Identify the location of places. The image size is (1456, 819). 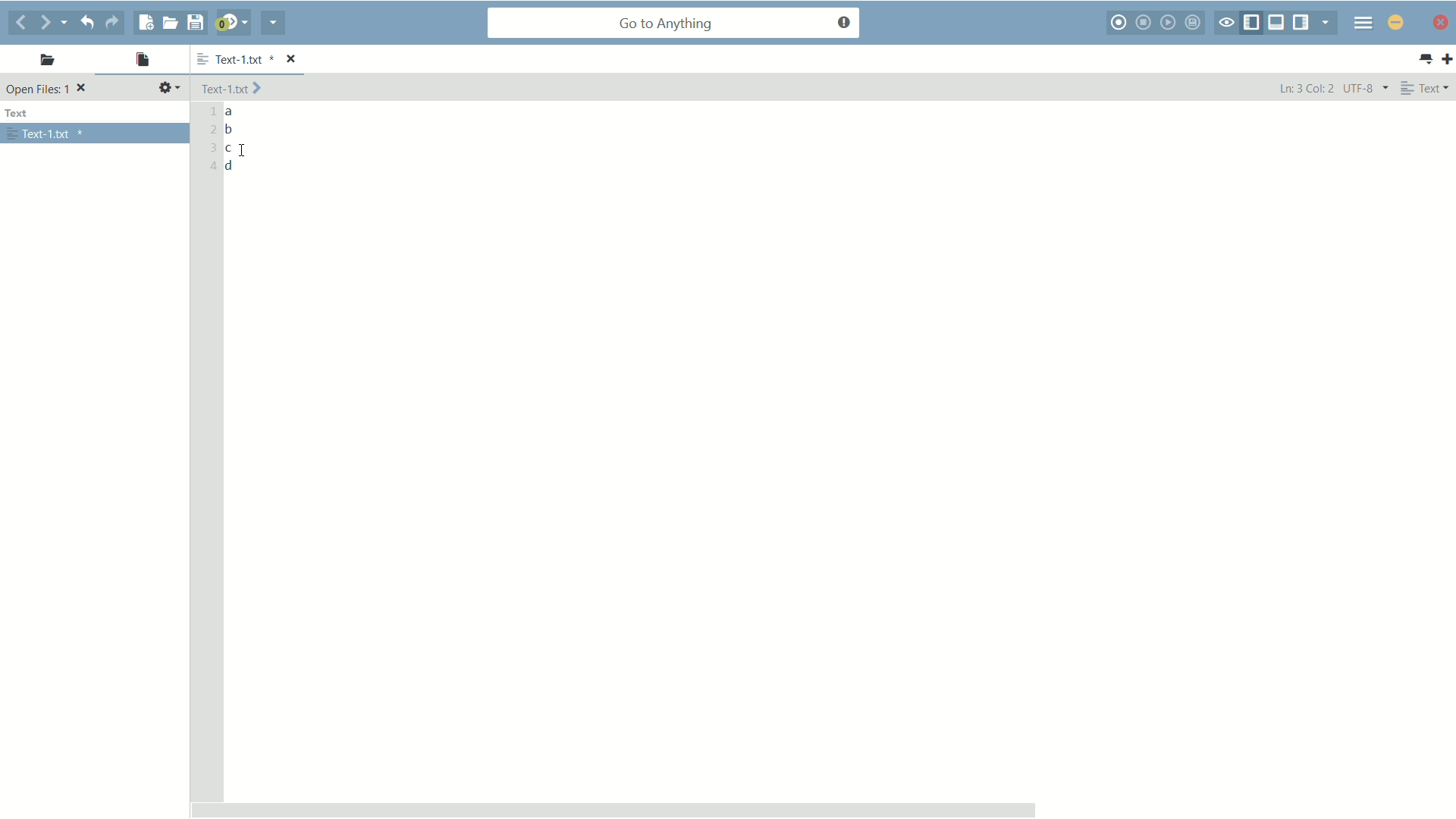
(43, 62).